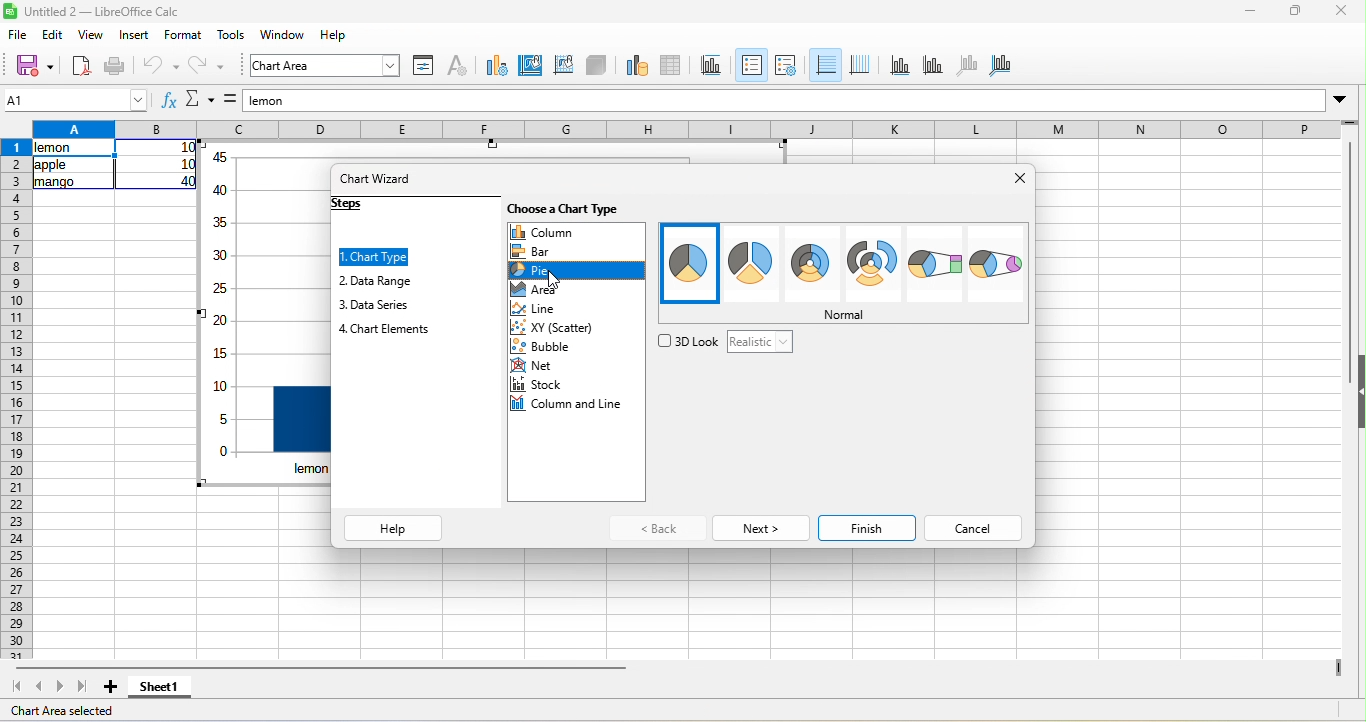  I want to click on rows, so click(15, 399).